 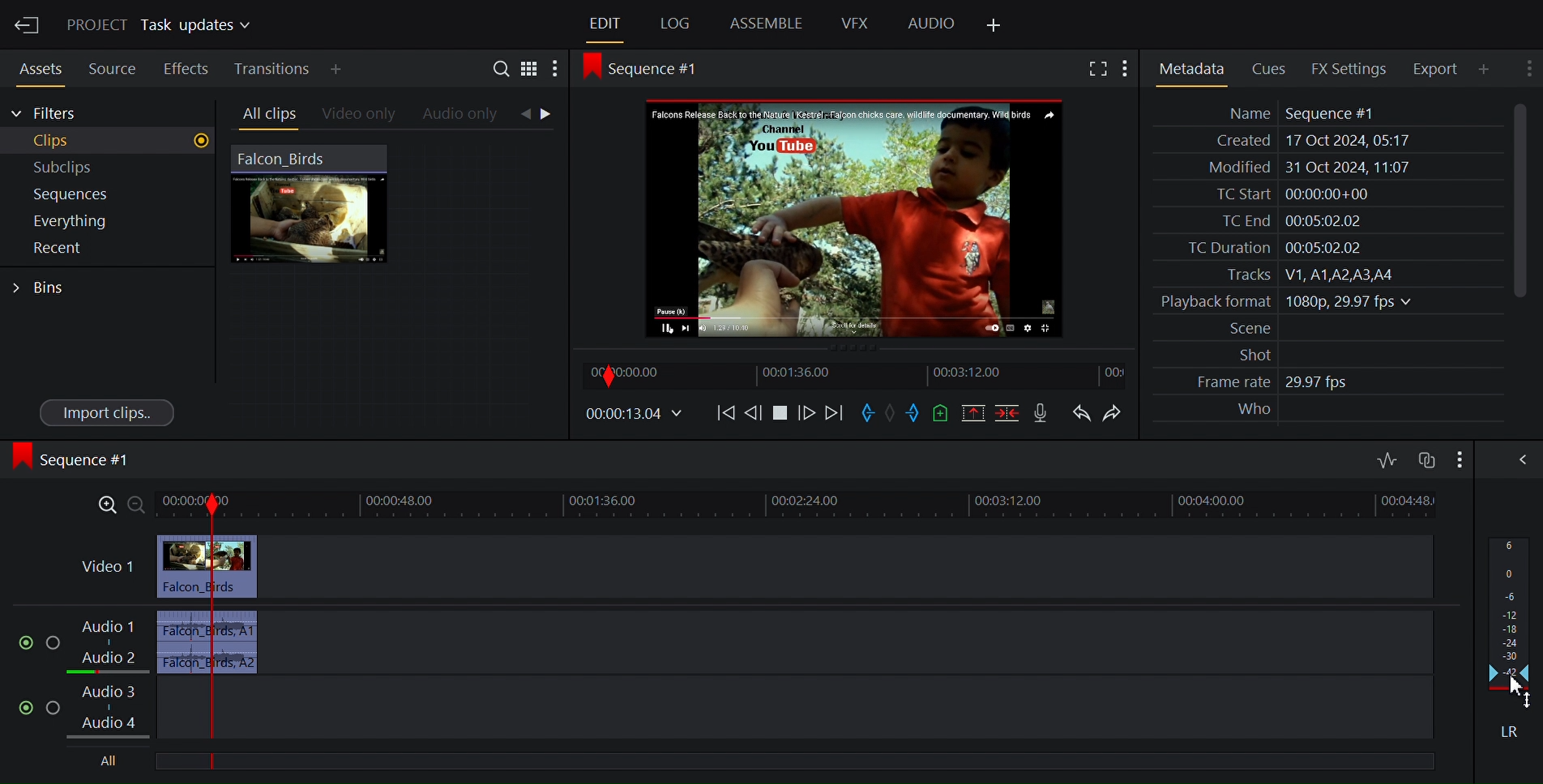 What do you see at coordinates (649, 71) in the screenshot?
I see `Sequence #1` at bounding box center [649, 71].